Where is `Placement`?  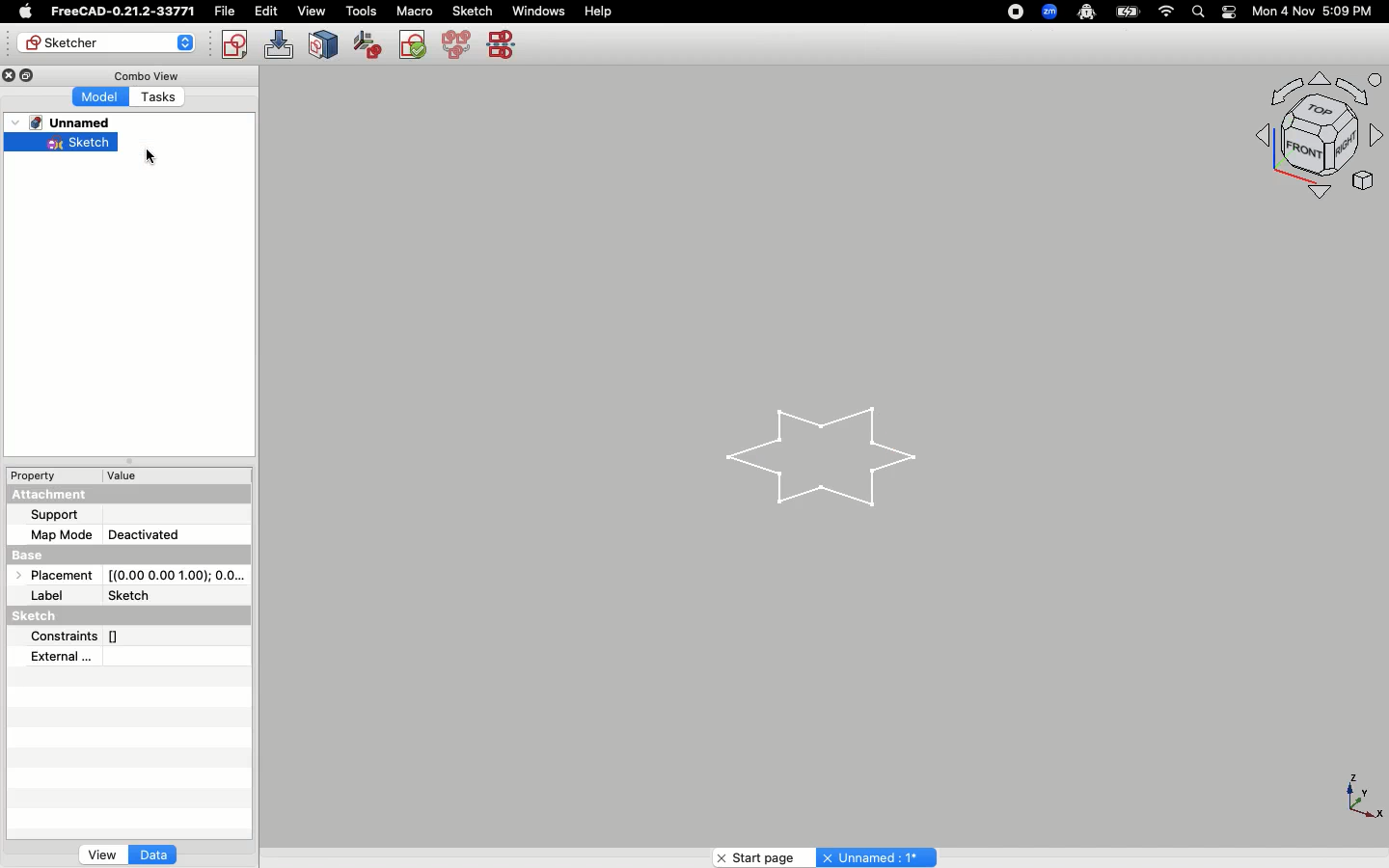 Placement is located at coordinates (61, 574).